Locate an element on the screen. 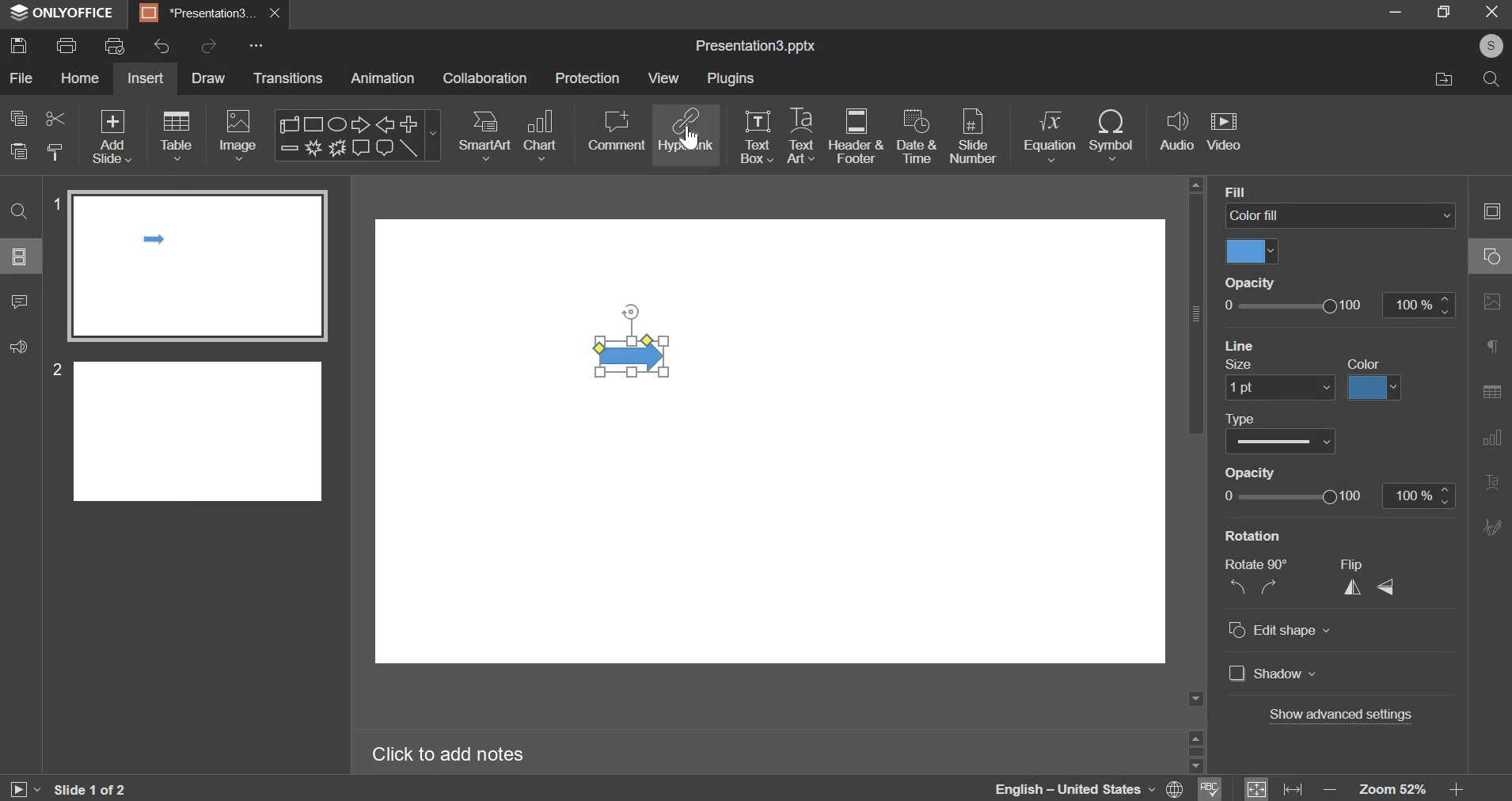  increase zoom is located at coordinates (1457, 790).